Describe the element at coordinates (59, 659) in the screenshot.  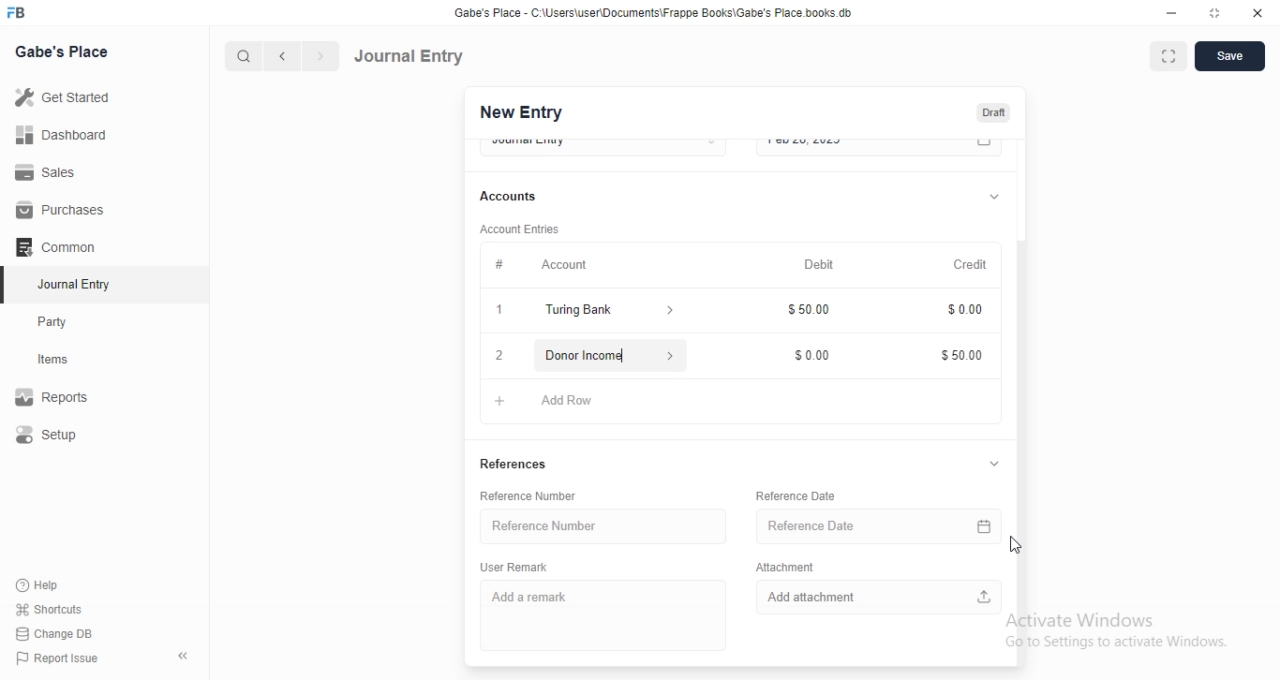
I see `) Report Issue` at that location.